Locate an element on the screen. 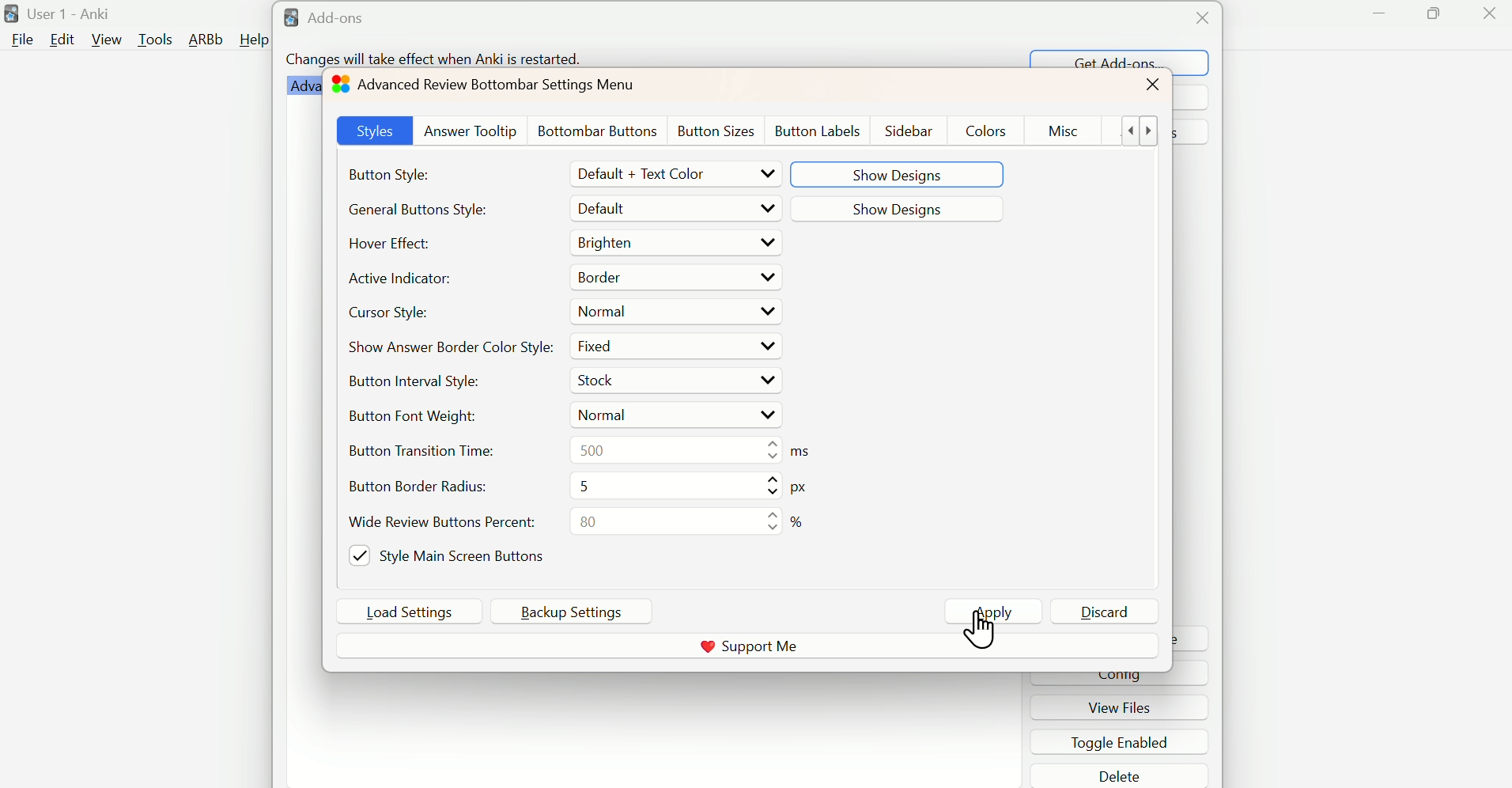  Get Add-ons... is located at coordinates (1114, 61).